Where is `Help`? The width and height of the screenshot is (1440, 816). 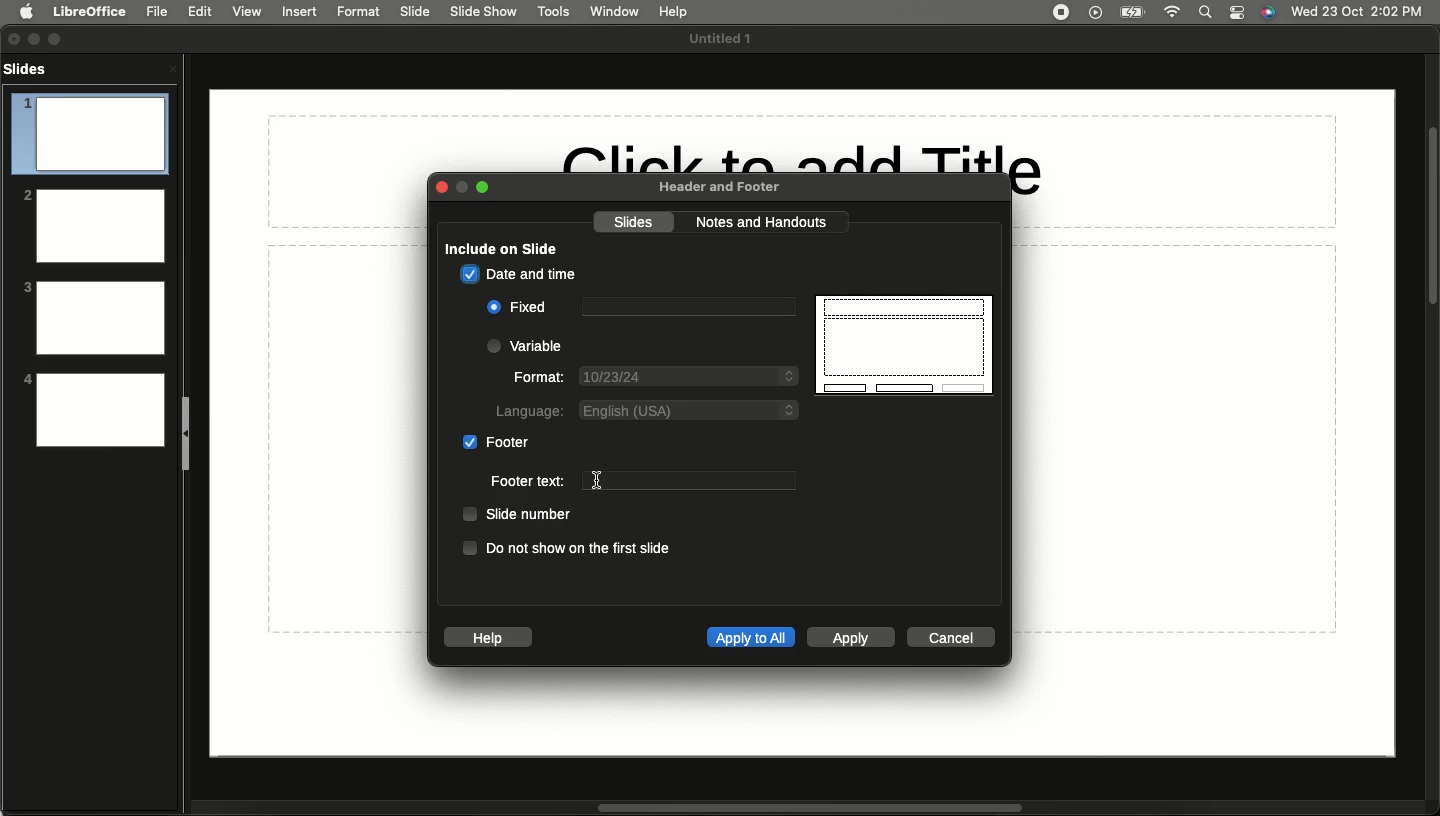 Help is located at coordinates (486, 638).